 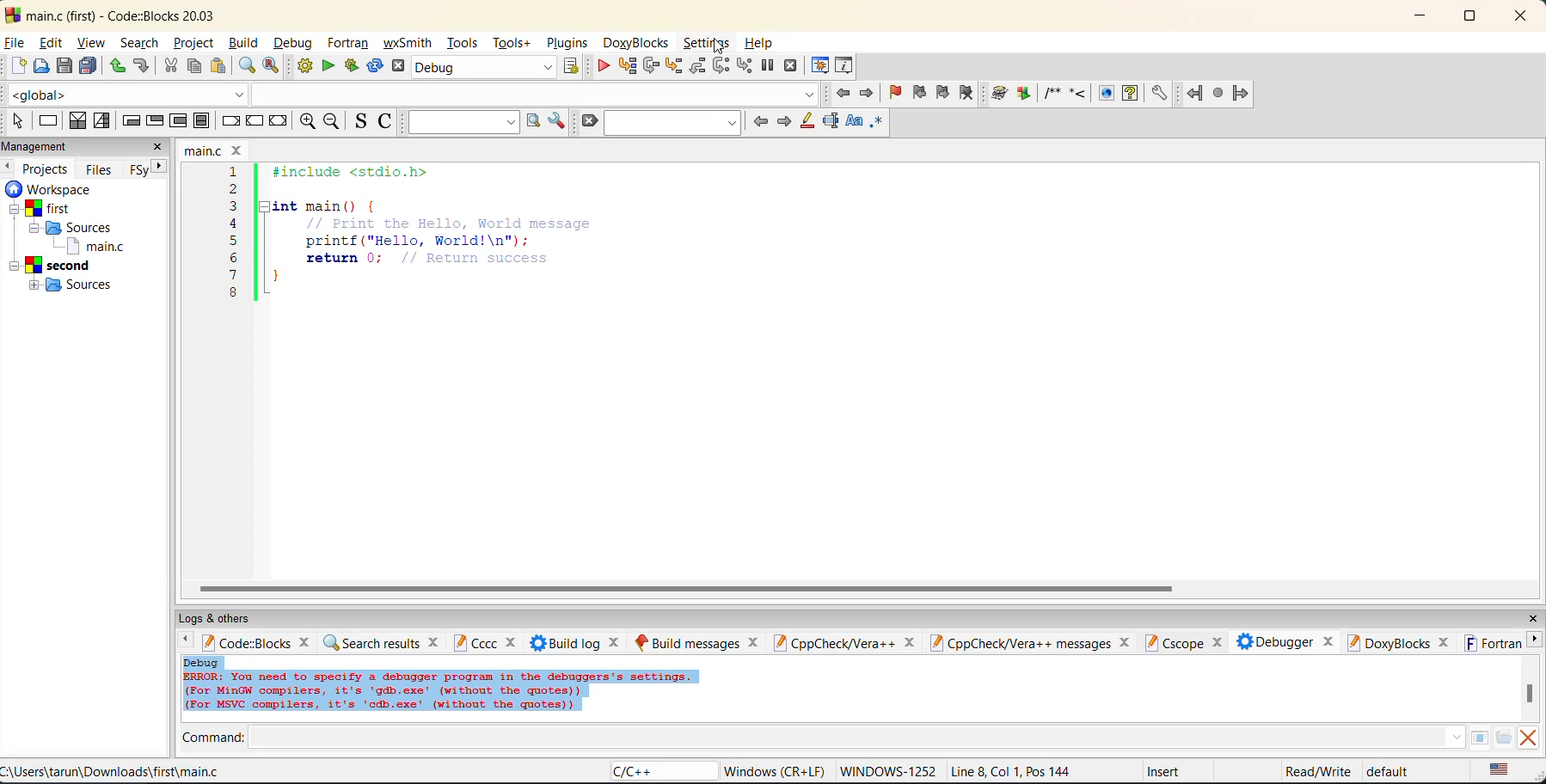 I want to click on insert a comment block, so click(x=1052, y=93).